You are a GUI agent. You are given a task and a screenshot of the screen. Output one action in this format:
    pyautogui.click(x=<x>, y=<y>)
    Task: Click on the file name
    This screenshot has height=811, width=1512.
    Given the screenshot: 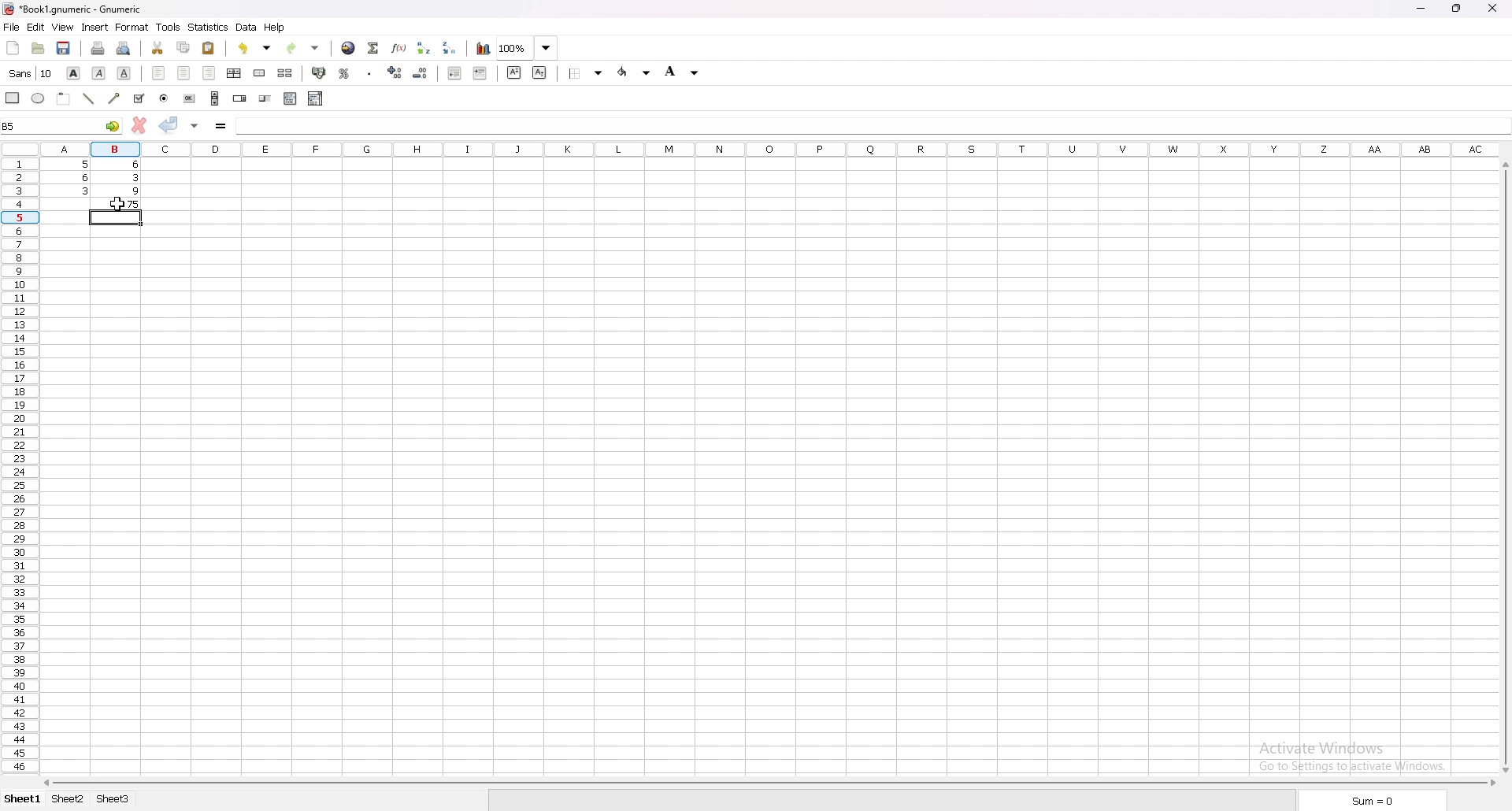 What is the action you would take?
    pyautogui.click(x=78, y=9)
    